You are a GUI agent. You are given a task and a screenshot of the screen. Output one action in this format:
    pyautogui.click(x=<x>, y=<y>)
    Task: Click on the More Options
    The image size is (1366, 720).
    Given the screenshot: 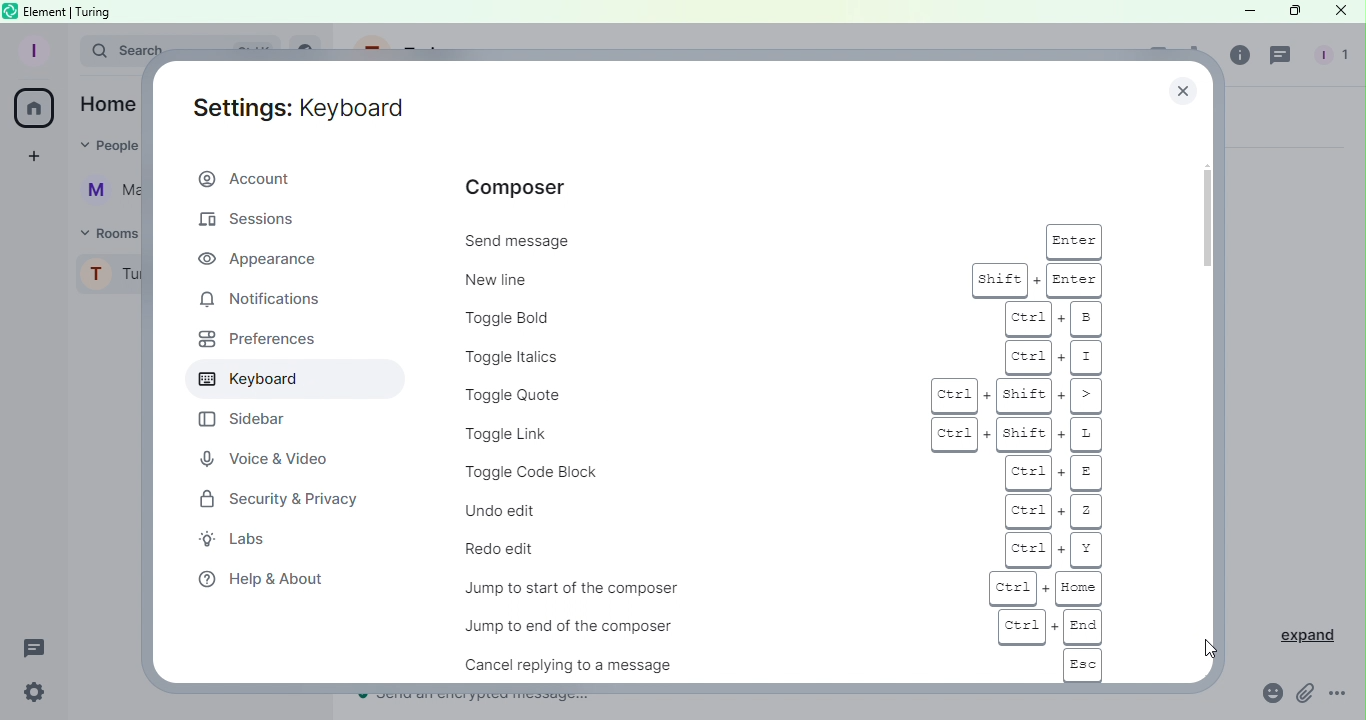 What is the action you would take?
    pyautogui.click(x=1344, y=696)
    